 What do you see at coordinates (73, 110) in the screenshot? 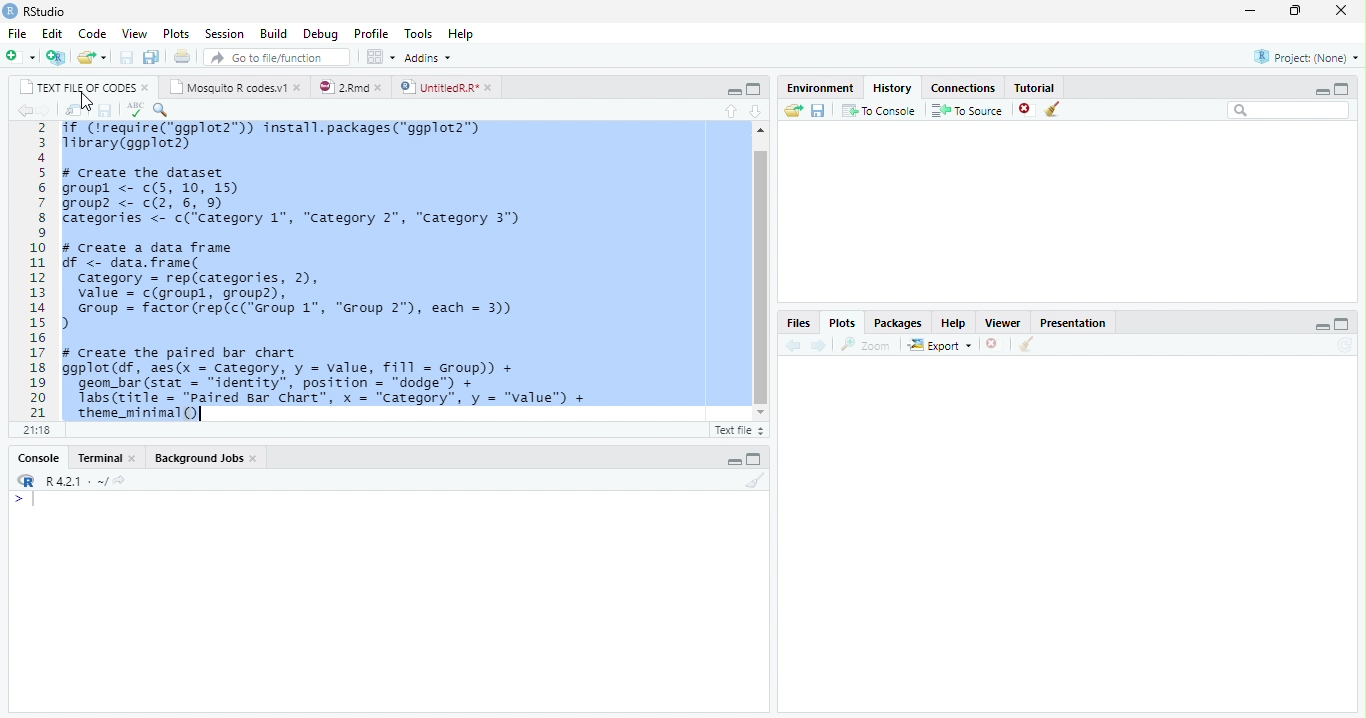
I see `show in new window` at bounding box center [73, 110].